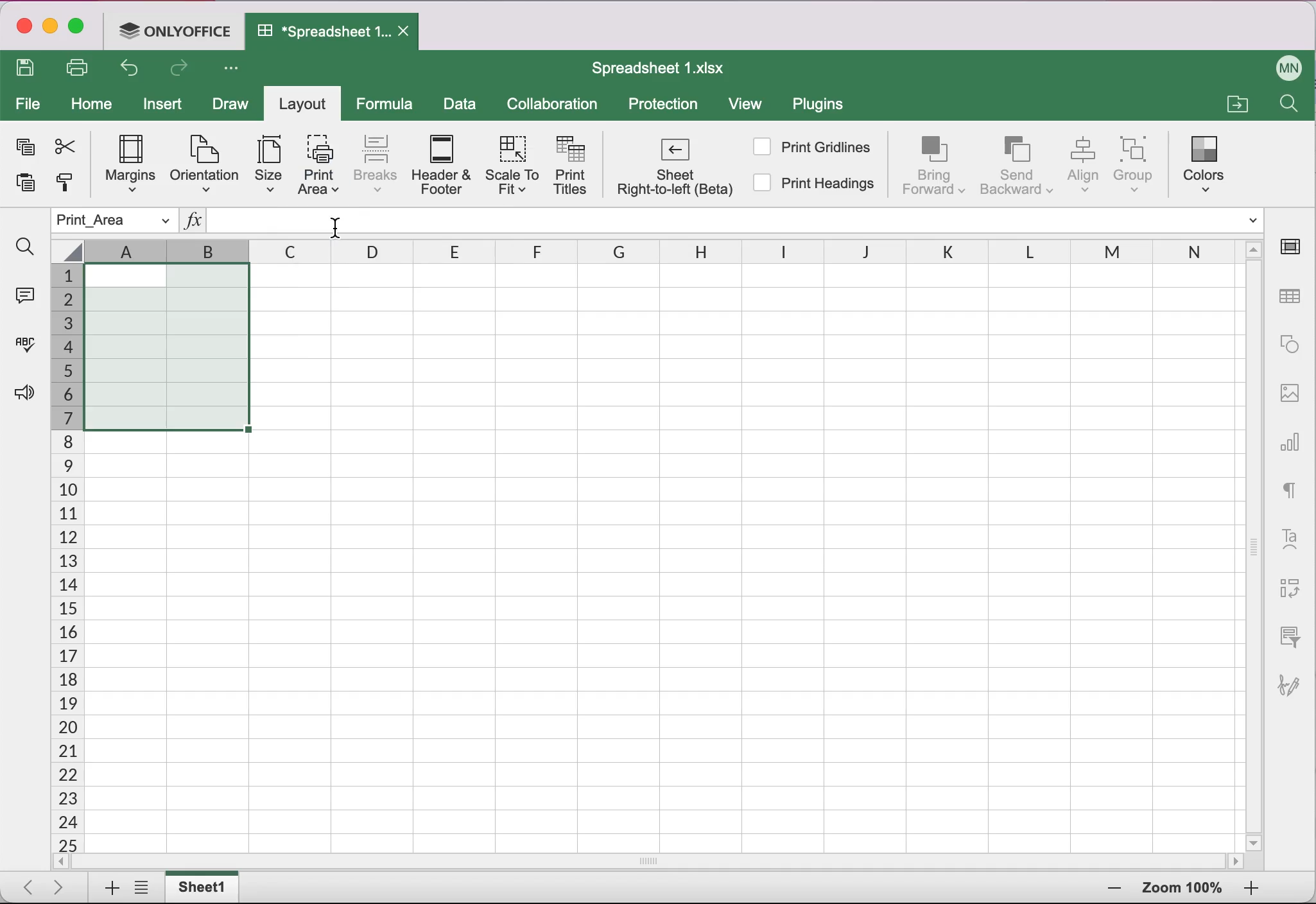 The width and height of the screenshot is (1316, 904). Describe the element at coordinates (824, 107) in the screenshot. I see `plugins` at that location.